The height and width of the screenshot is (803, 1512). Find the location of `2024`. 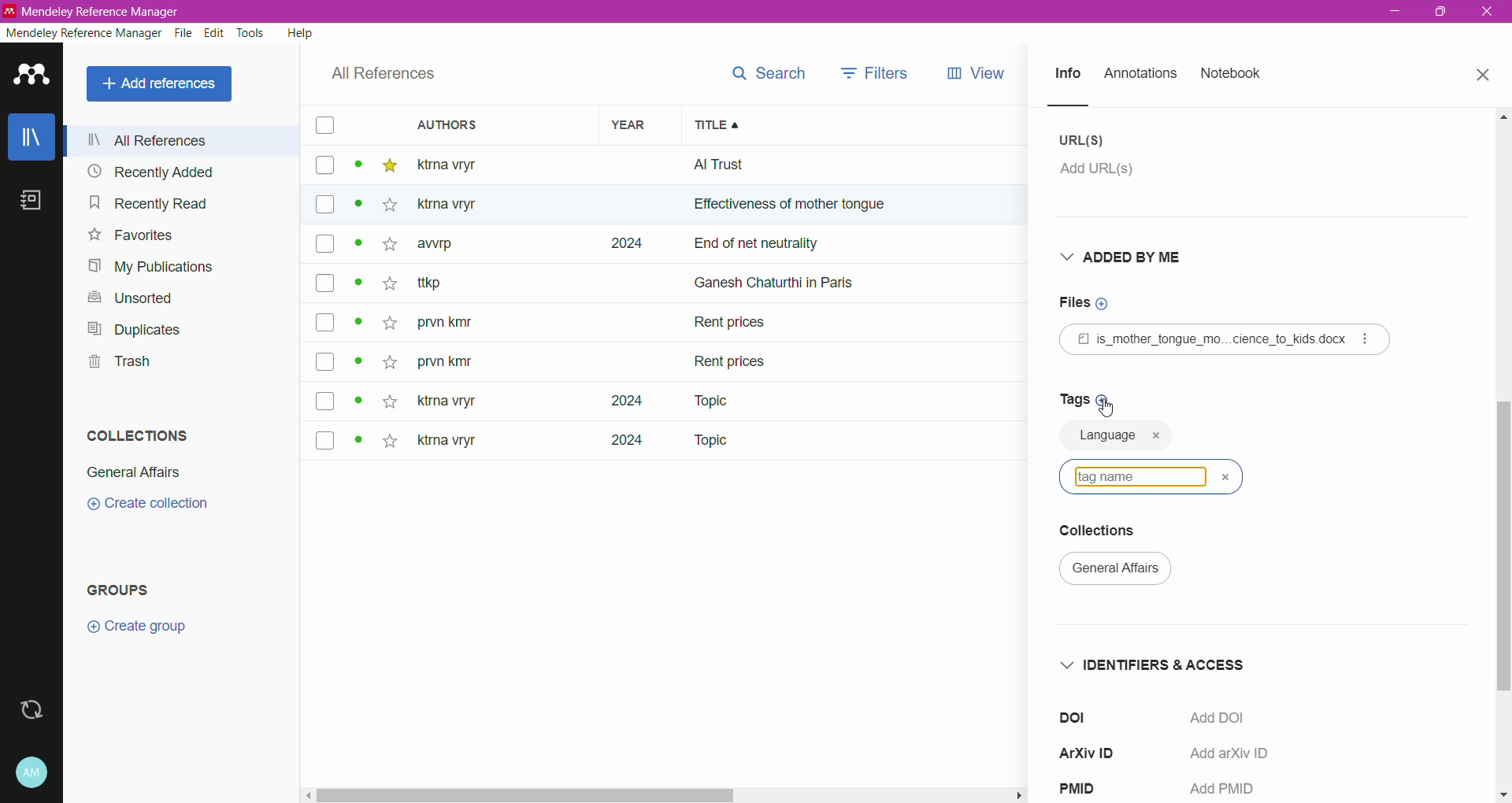

2024 is located at coordinates (613, 401).